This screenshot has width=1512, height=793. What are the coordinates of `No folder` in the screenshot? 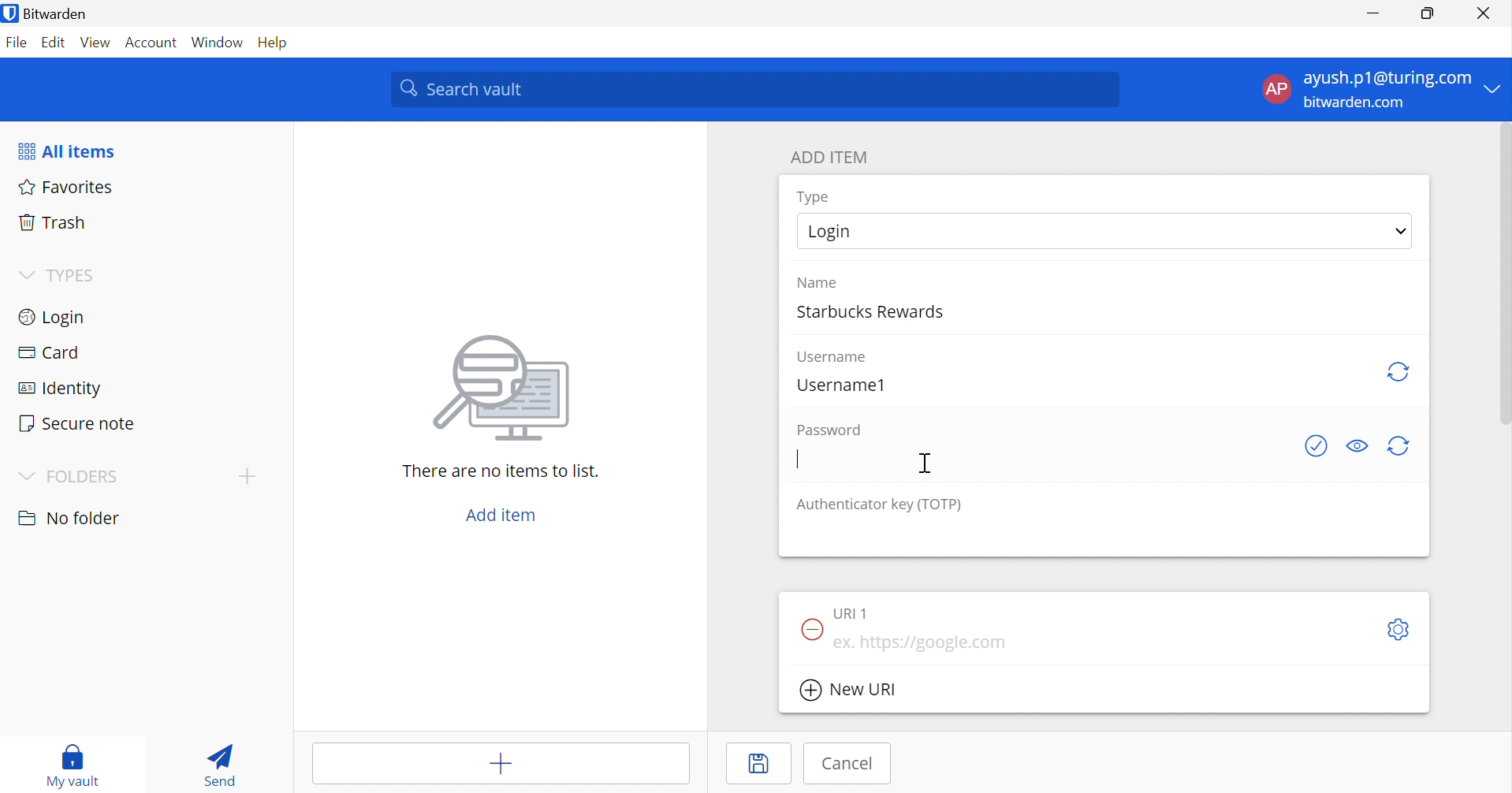 It's located at (70, 520).